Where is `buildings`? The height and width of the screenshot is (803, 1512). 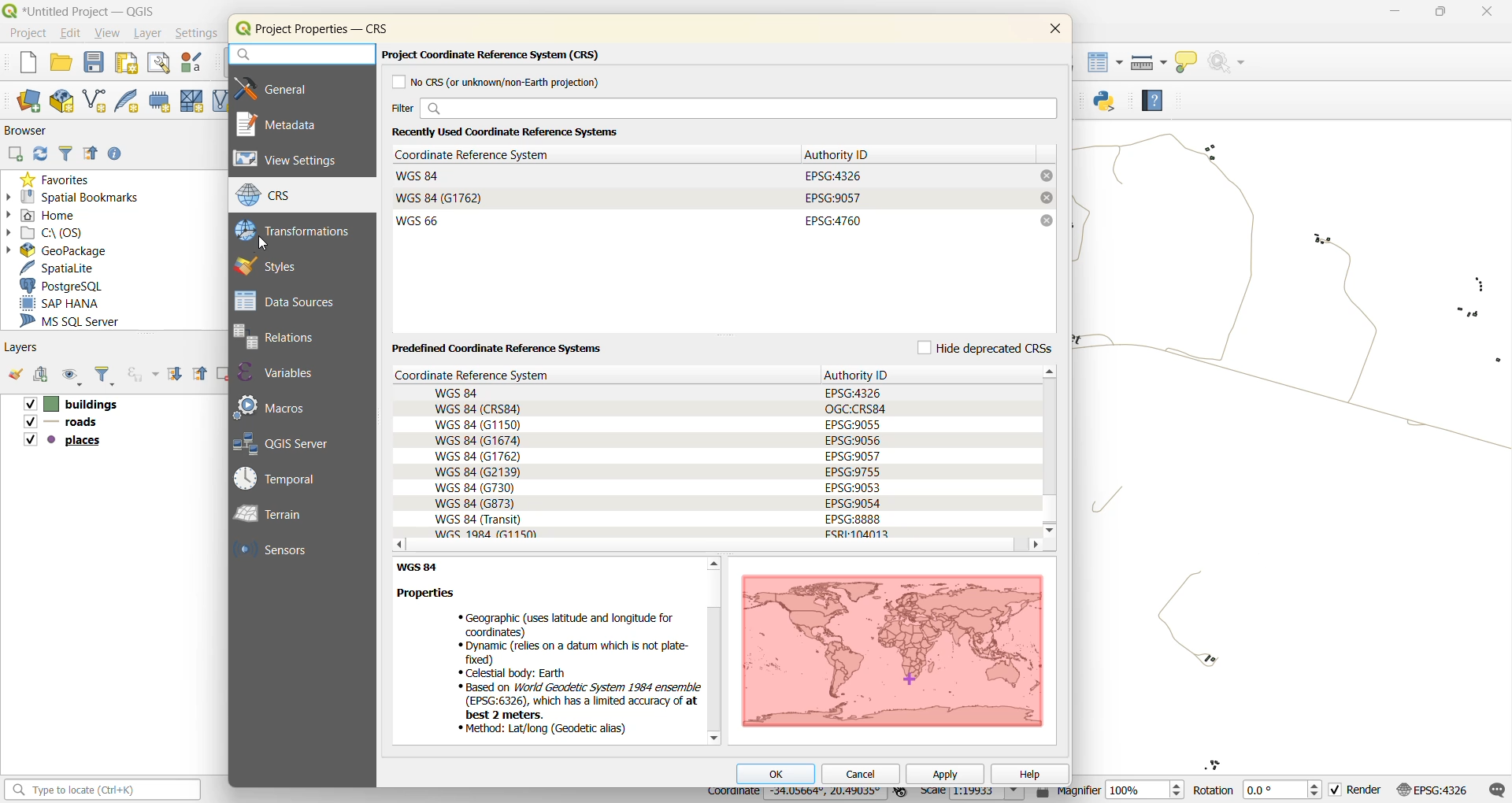 buildings is located at coordinates (70, 404).